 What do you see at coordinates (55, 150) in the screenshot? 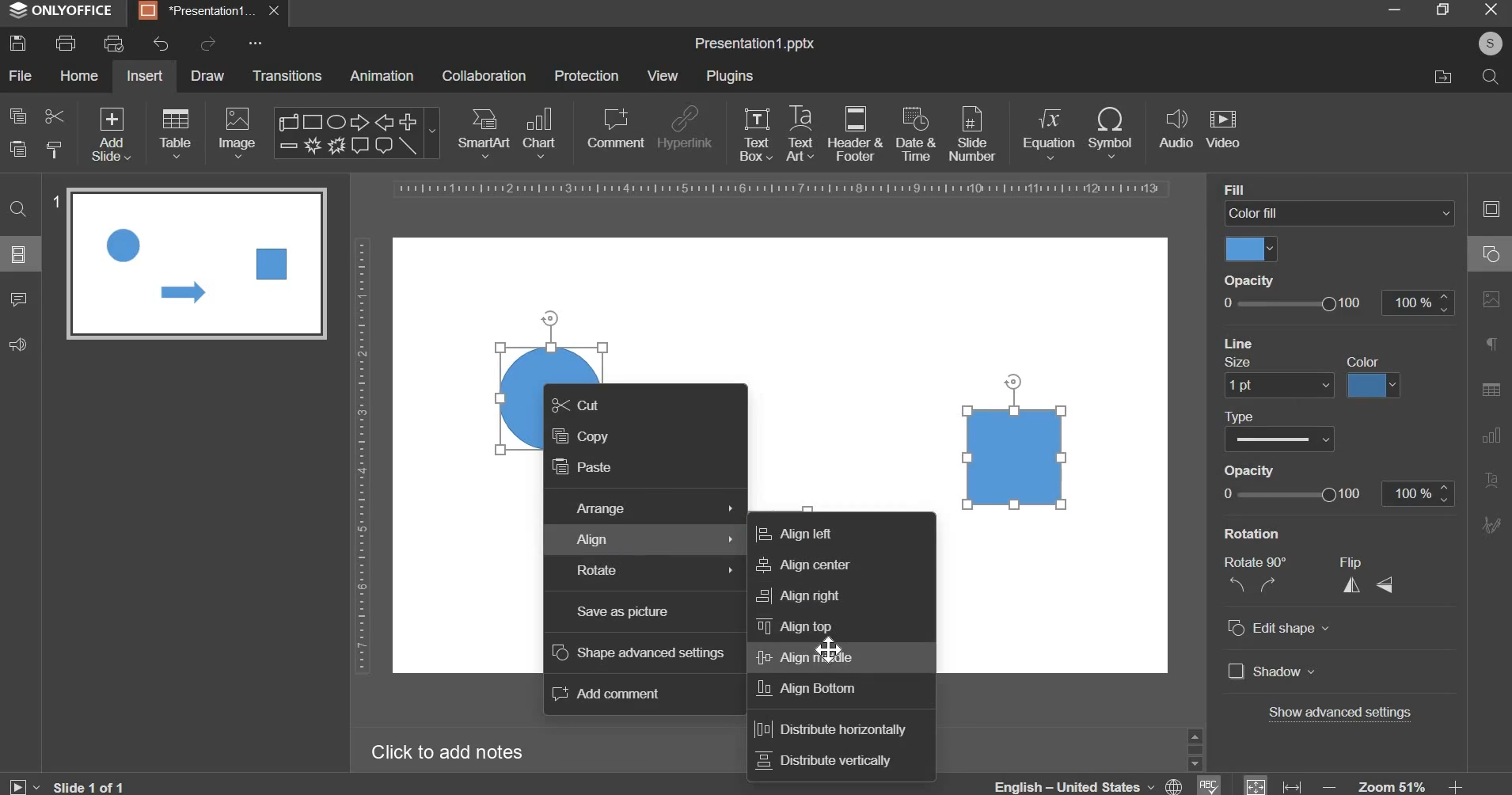
I see `copy style` at bounding box center [55, 150].